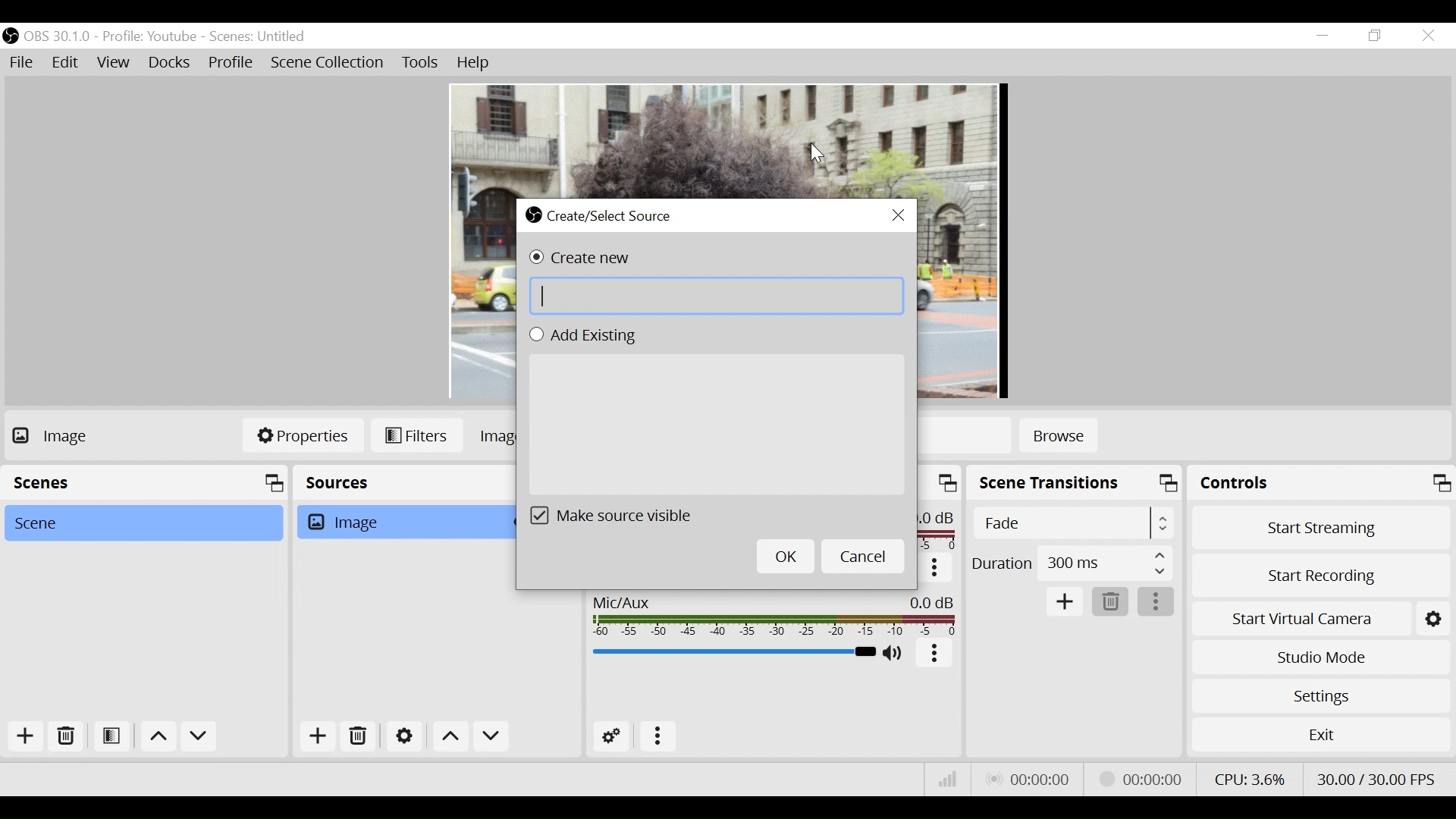  Describe the element at coordinates (450, 736) in the screenshot. I see `Move Up` at that location.